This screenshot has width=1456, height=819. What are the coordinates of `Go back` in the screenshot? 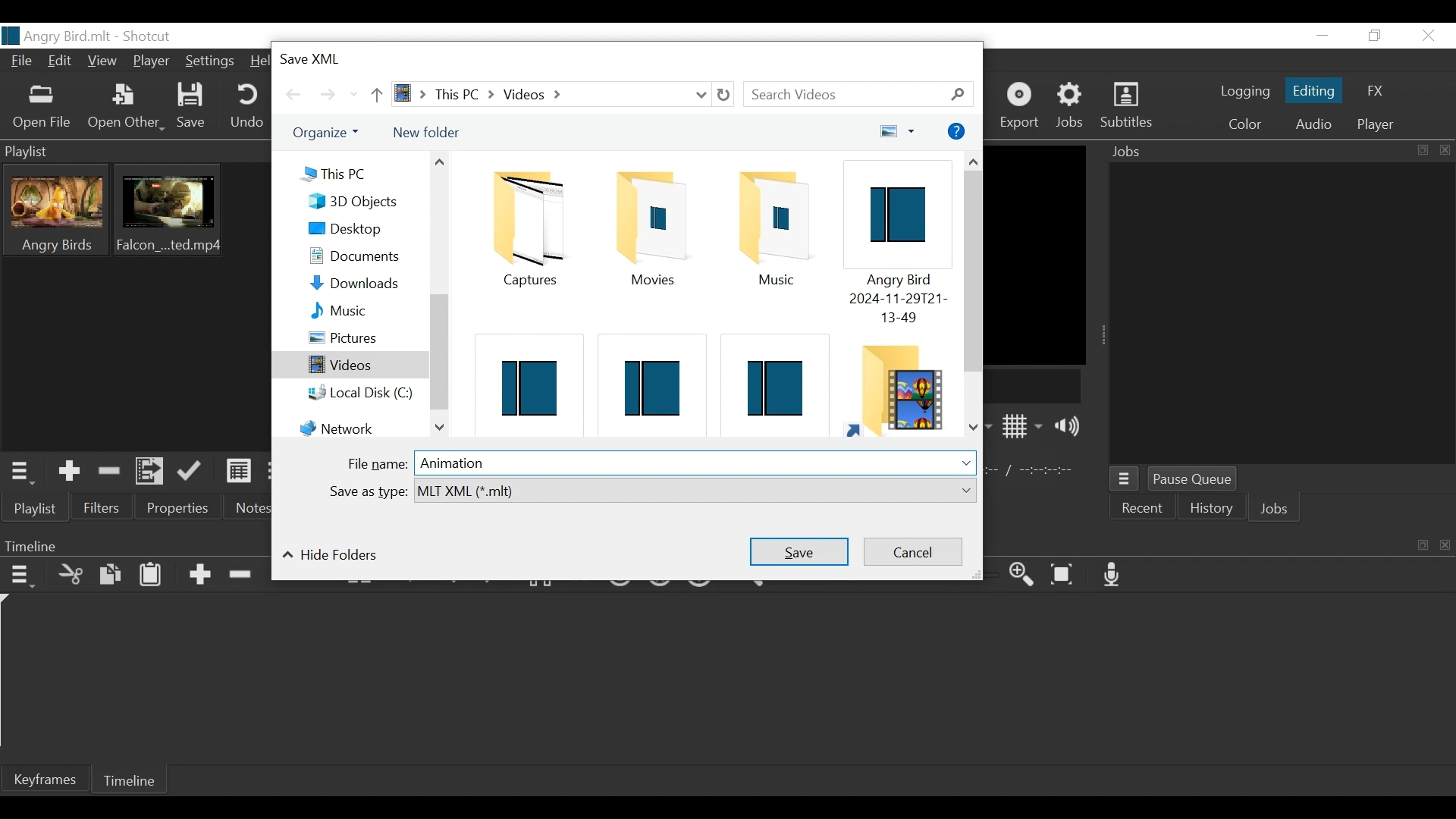 It's located at (295, 94).